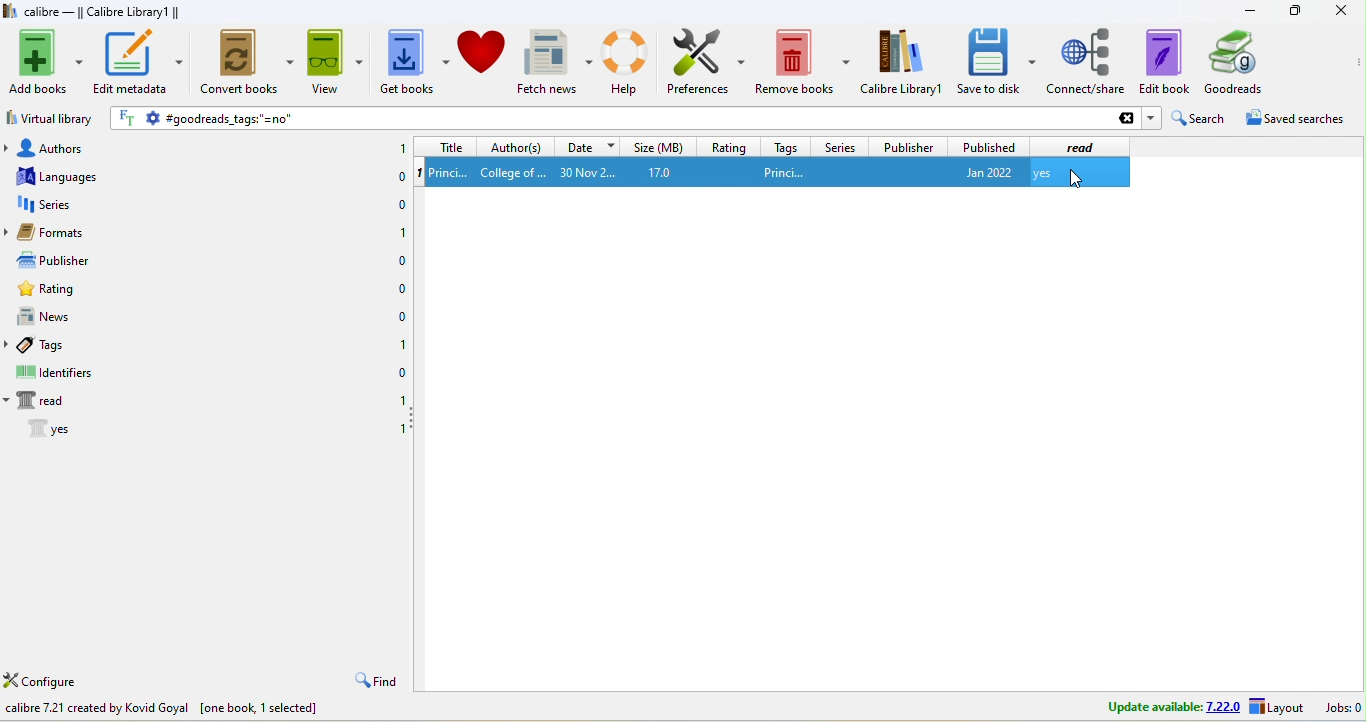  I want to click on 1, so click(402, 232).